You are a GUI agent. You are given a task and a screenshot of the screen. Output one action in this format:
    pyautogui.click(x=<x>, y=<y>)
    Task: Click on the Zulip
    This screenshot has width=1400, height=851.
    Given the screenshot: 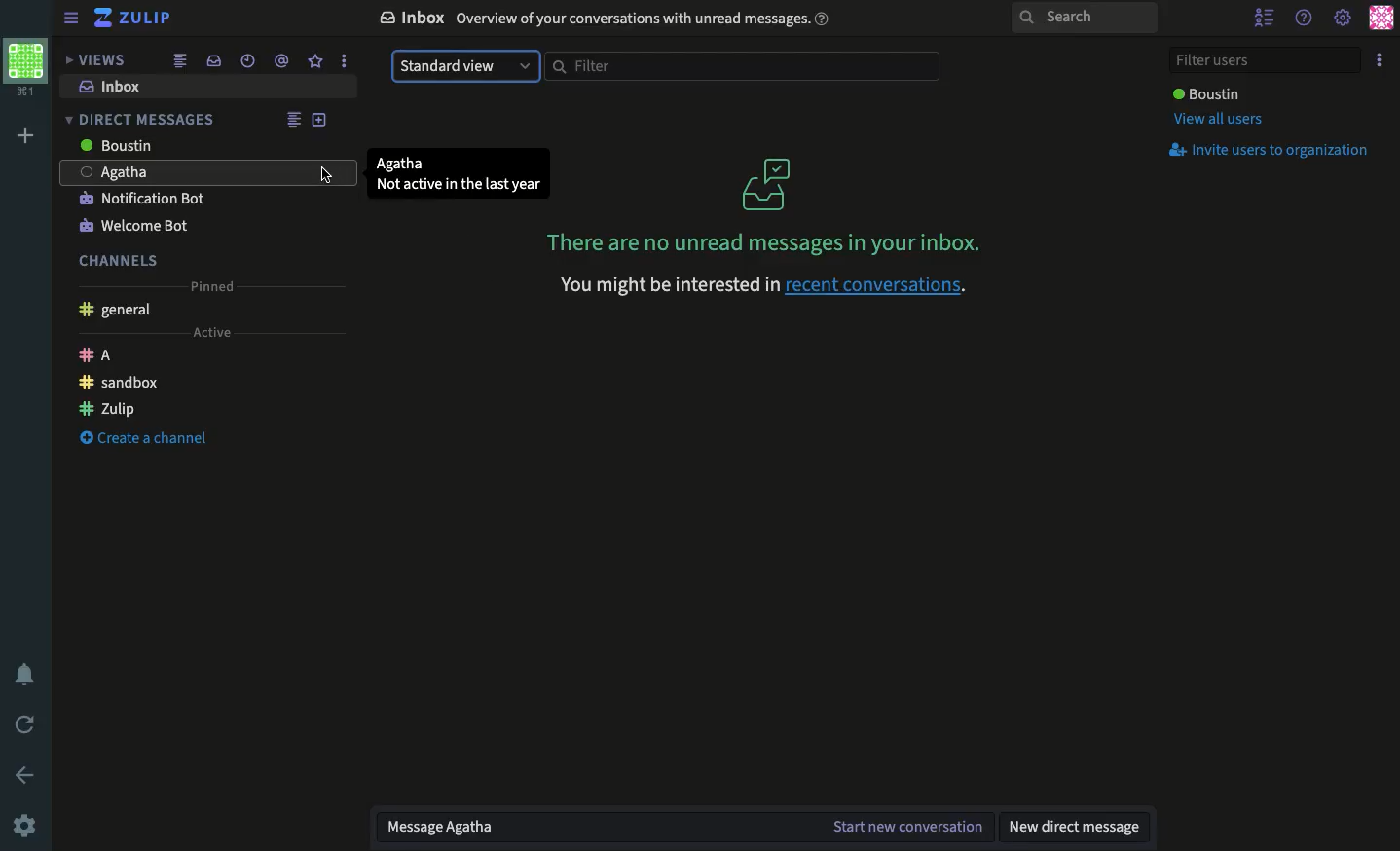 What is the action you would take?
    pyautogui.click(x=108, y=409)
    